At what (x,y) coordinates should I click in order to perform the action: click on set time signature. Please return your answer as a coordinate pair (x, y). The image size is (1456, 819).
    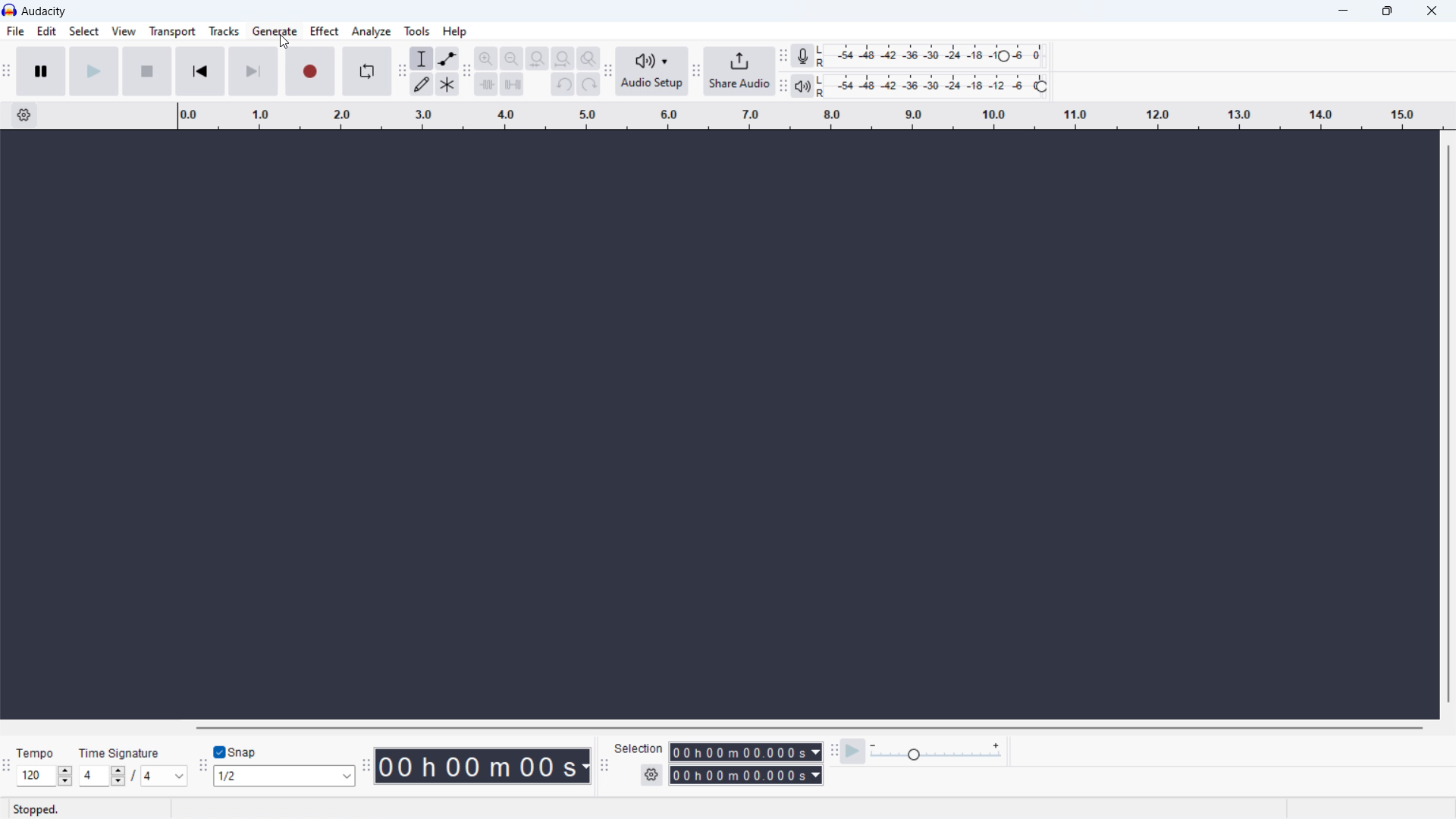
    Looking at the image, I should click on (133, 776).